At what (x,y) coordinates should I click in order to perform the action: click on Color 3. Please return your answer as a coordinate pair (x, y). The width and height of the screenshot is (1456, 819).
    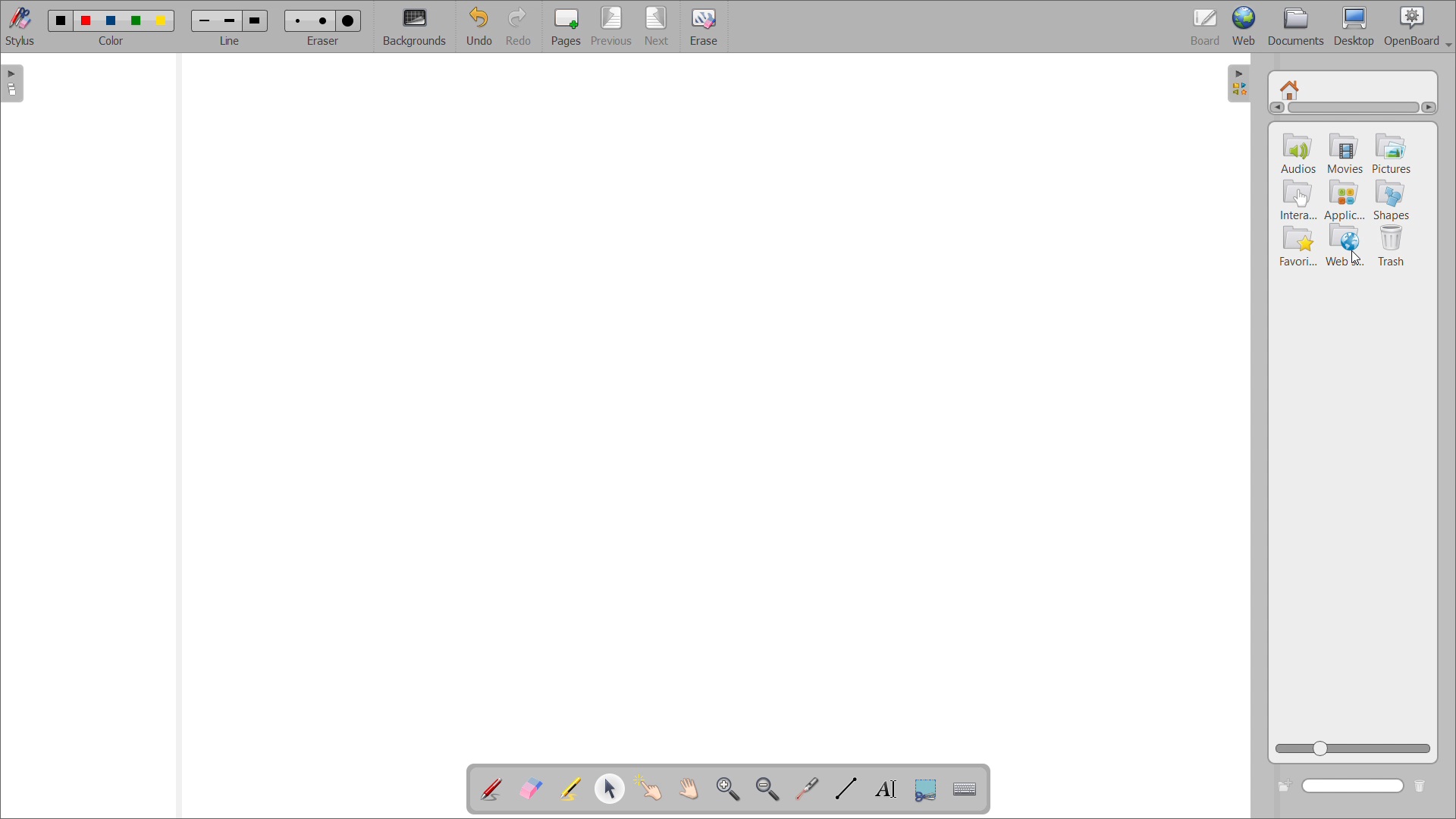
    Looking at the image, I should click on (110, 20).